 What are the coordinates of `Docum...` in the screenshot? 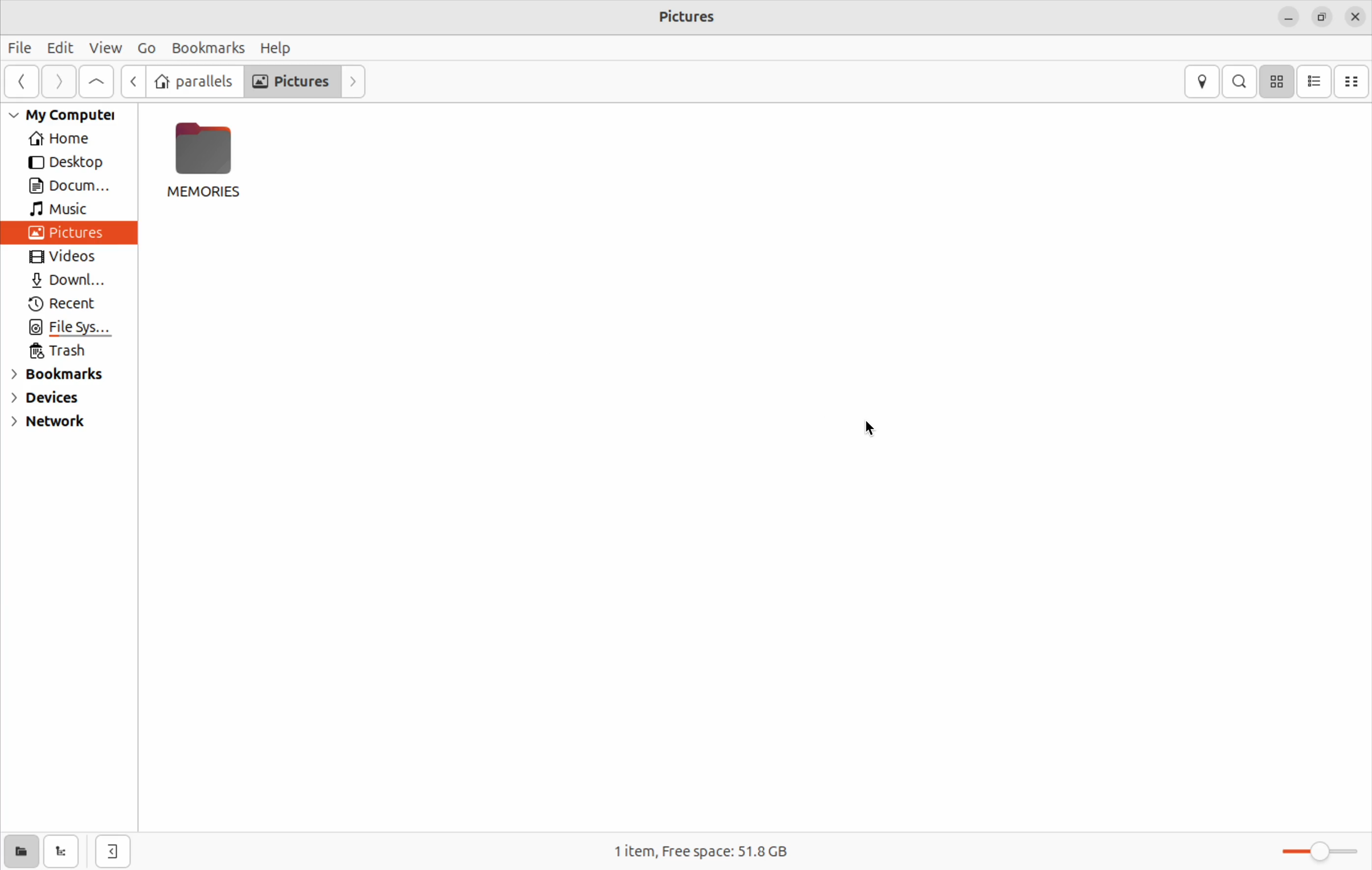 It's located at (71, 185).